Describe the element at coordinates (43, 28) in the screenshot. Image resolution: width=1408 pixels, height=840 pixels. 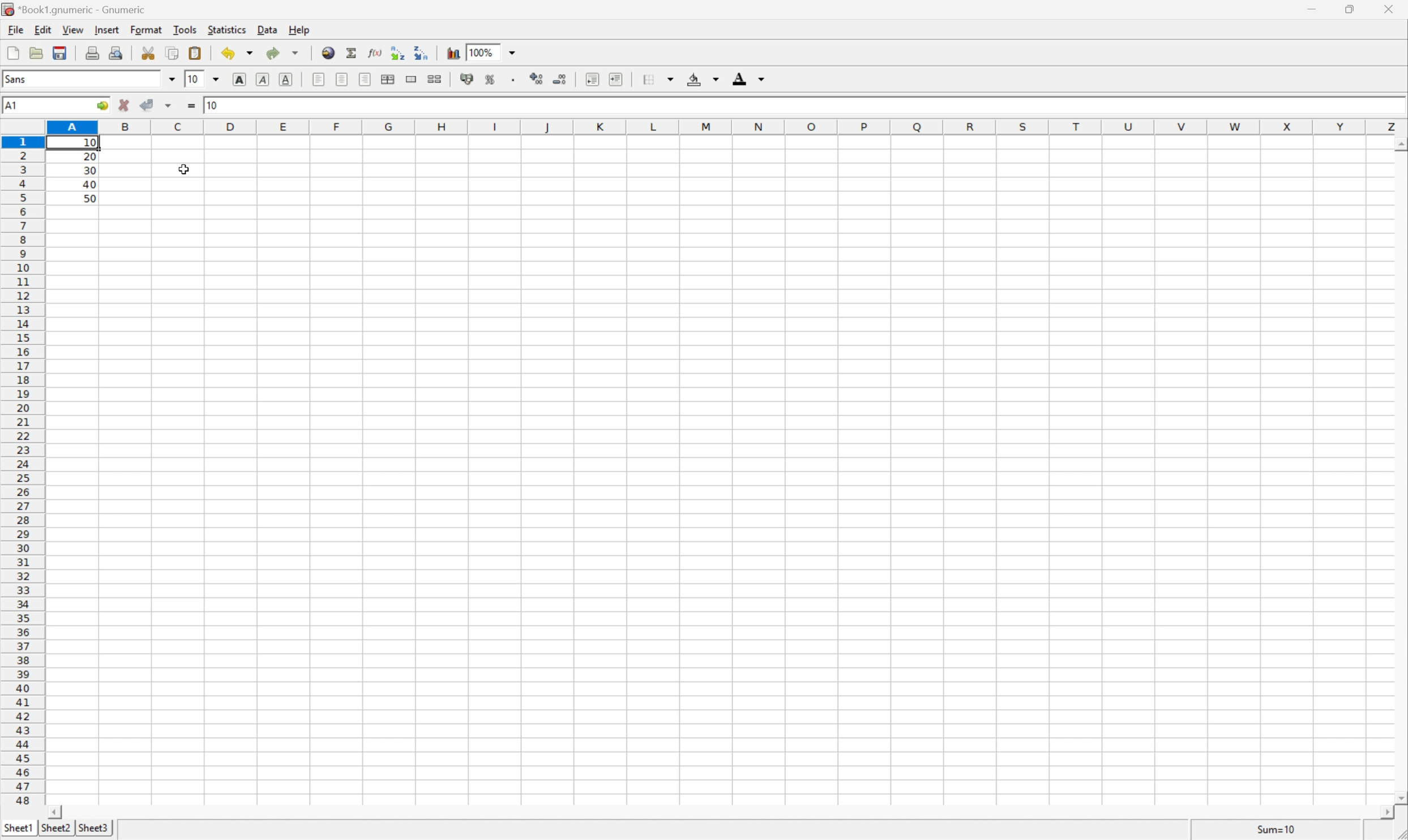
I see `Edit` at that location.